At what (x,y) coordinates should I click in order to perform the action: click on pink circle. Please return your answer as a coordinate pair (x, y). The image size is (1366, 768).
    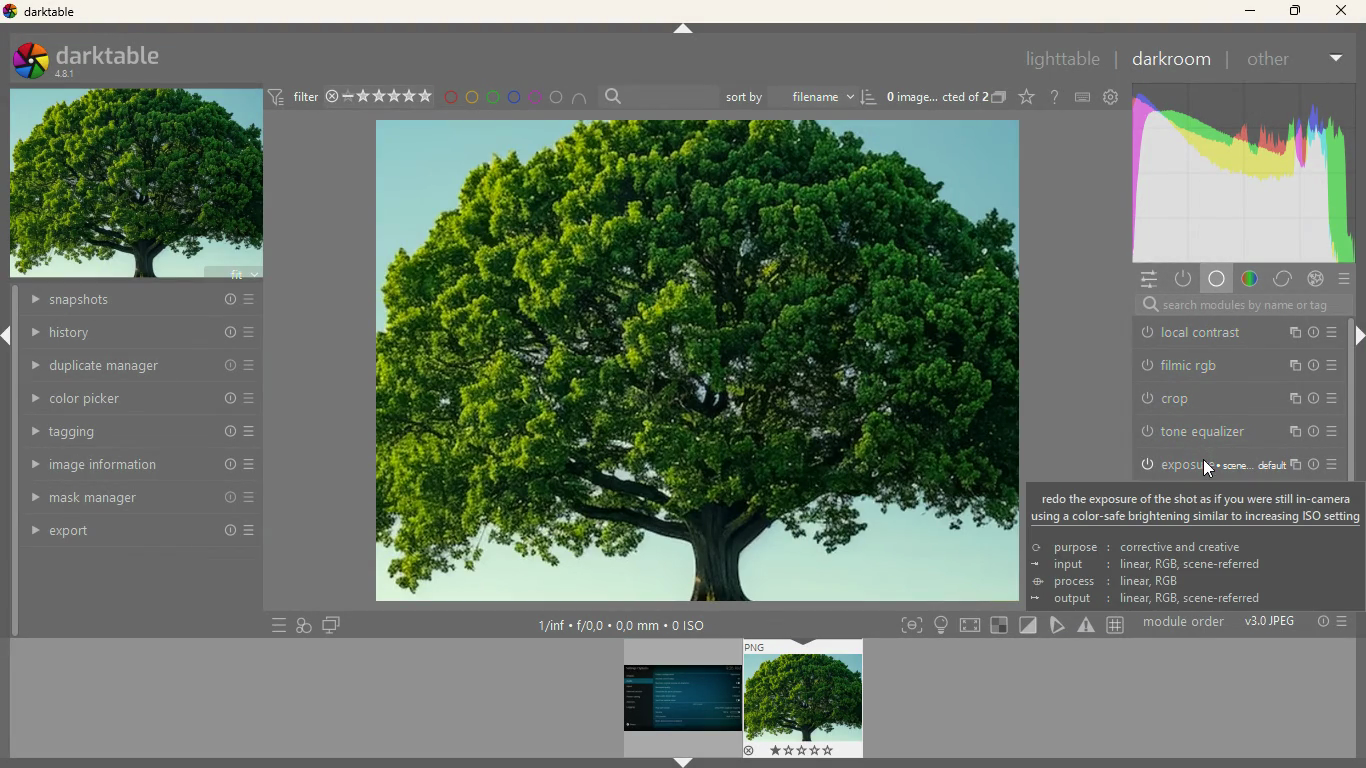
    Looking at the image, I should click on (534, 95).